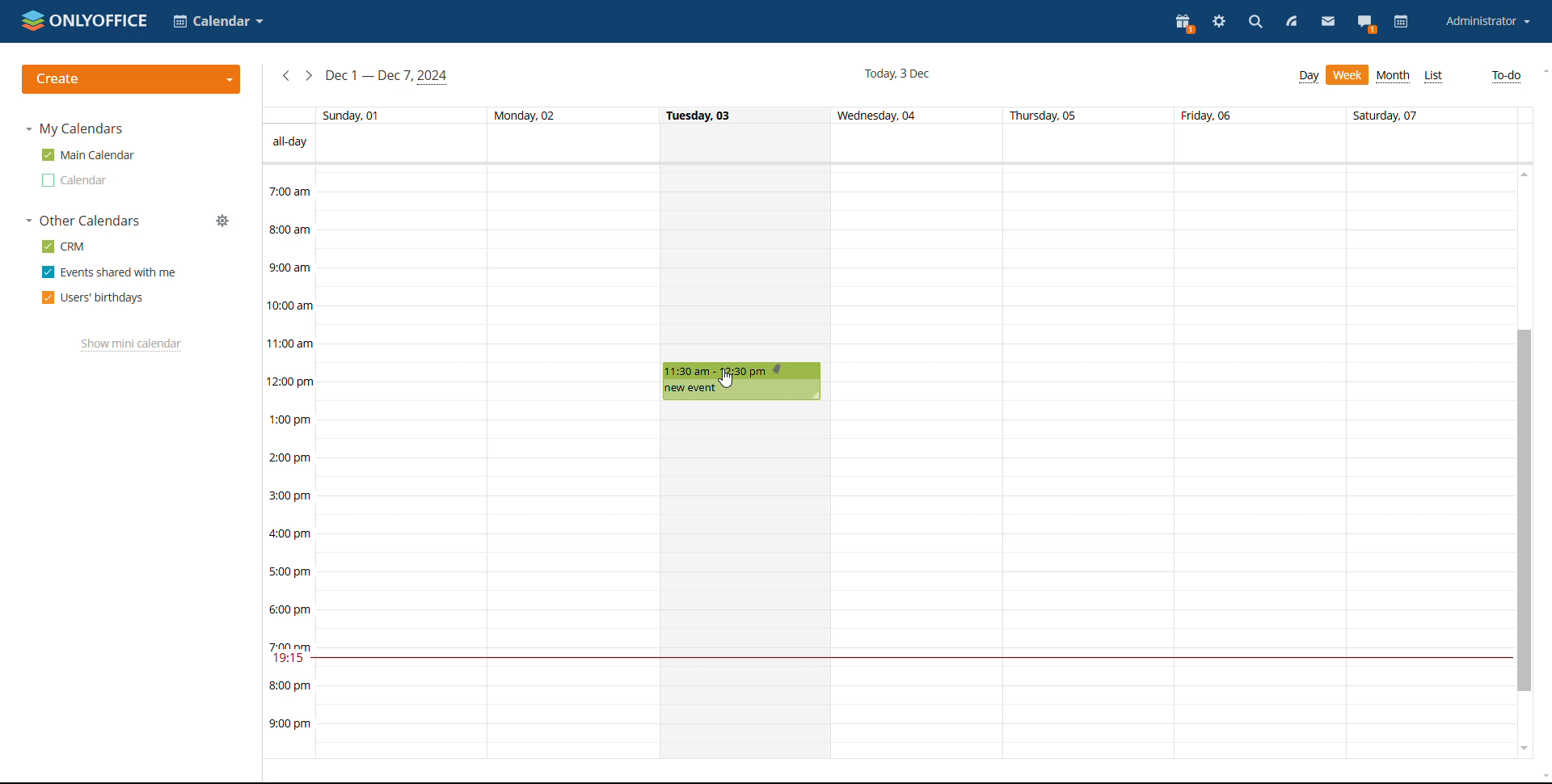  Describe the element at coordinates (63, 247) in the screenshot. I see `CRM` at that location.